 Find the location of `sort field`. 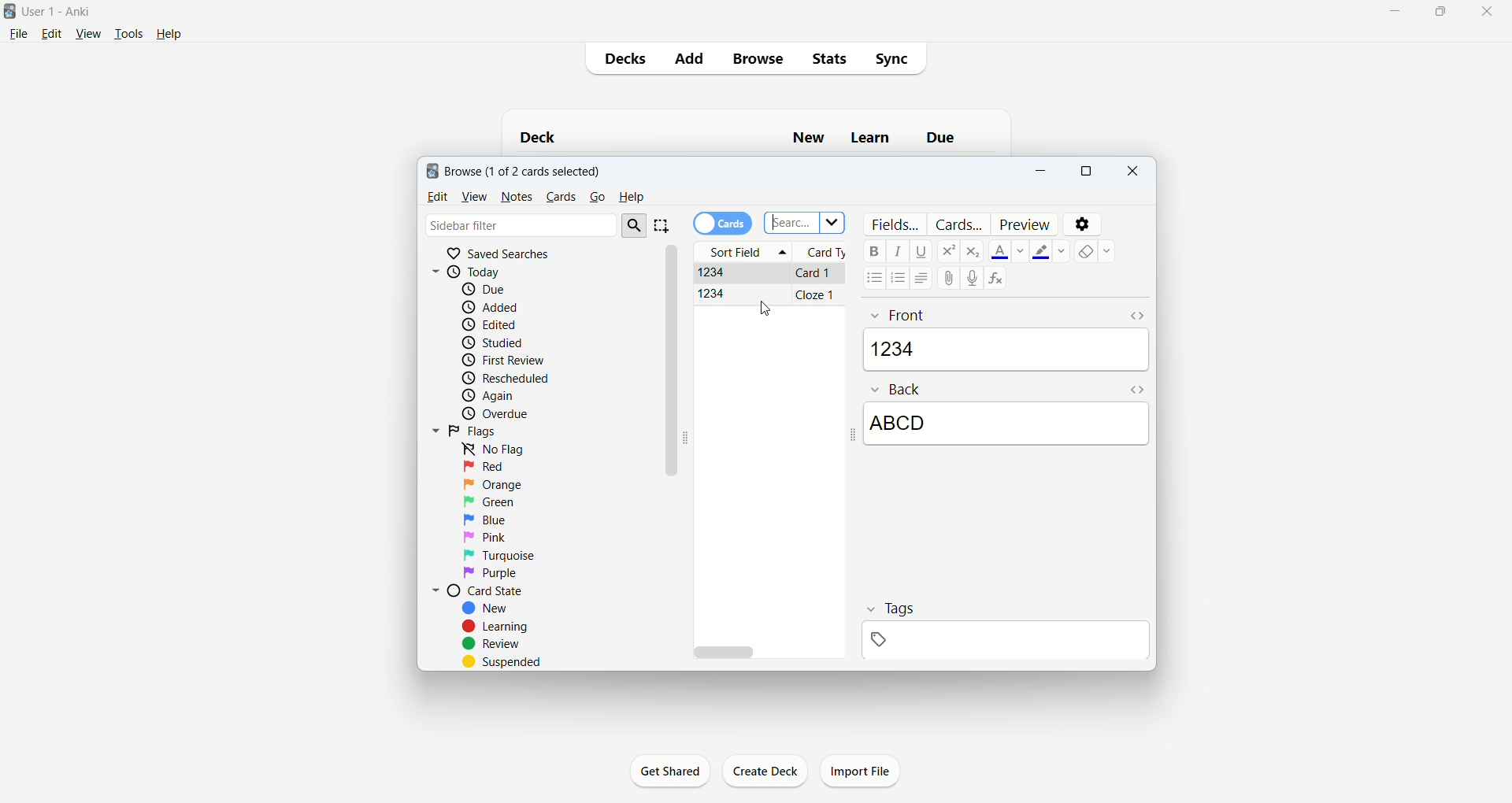

sort field is located at coordinates (741, 251).